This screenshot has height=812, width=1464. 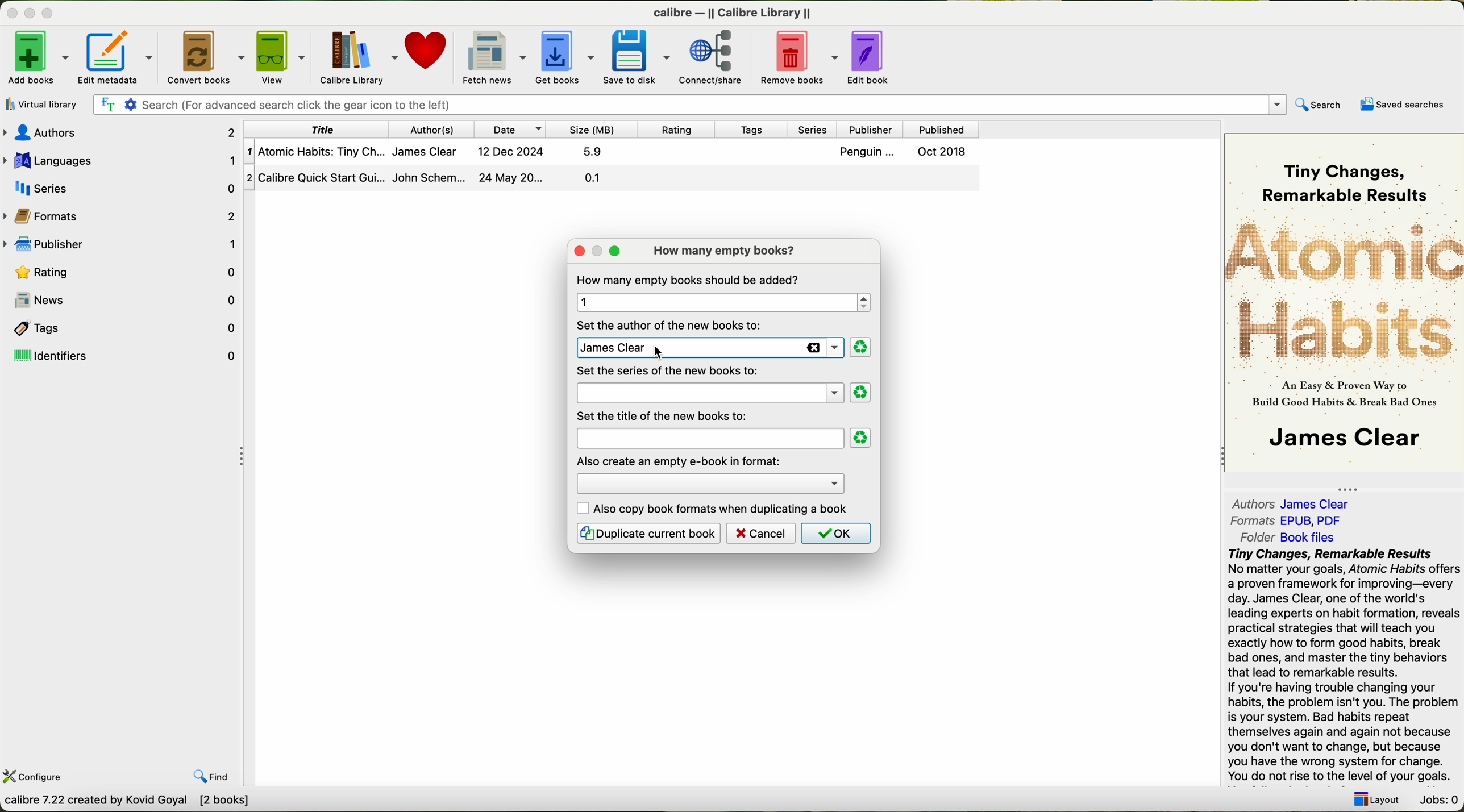 I want to click on OK button, so click(x=834, y=533).